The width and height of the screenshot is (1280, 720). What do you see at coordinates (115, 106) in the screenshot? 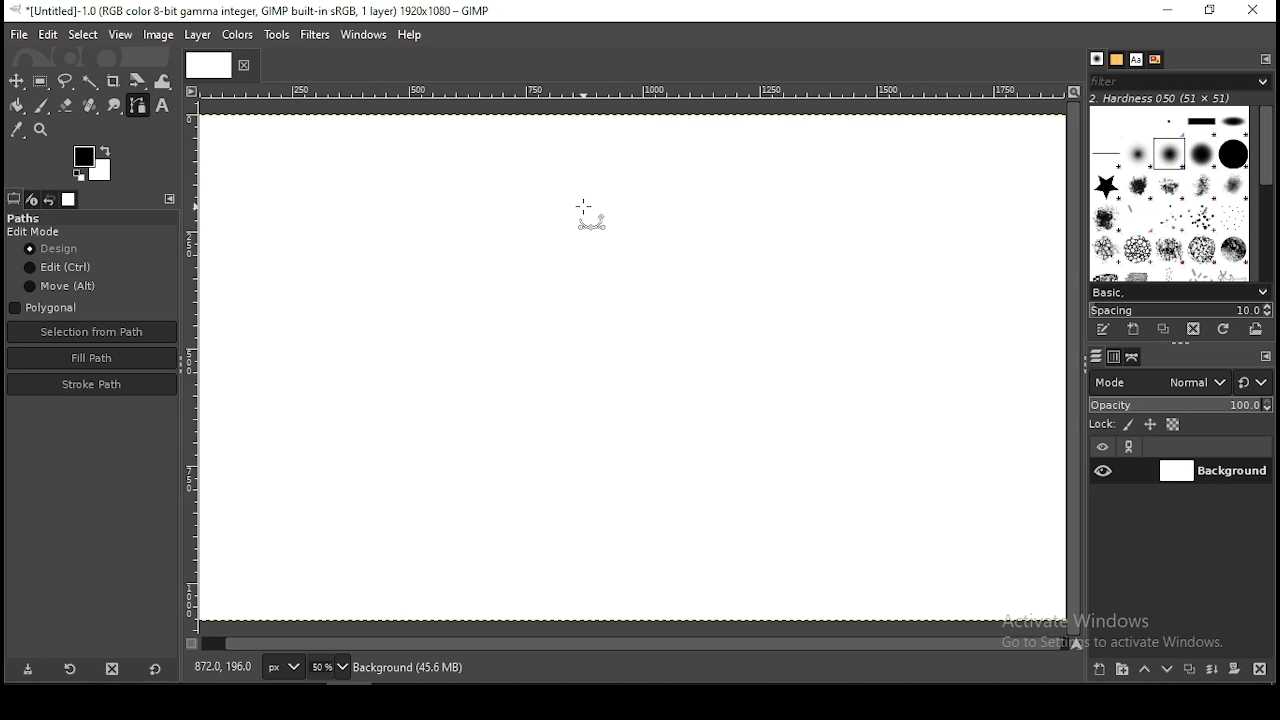
I see `smudge tool` at bounding box center [115, 106].